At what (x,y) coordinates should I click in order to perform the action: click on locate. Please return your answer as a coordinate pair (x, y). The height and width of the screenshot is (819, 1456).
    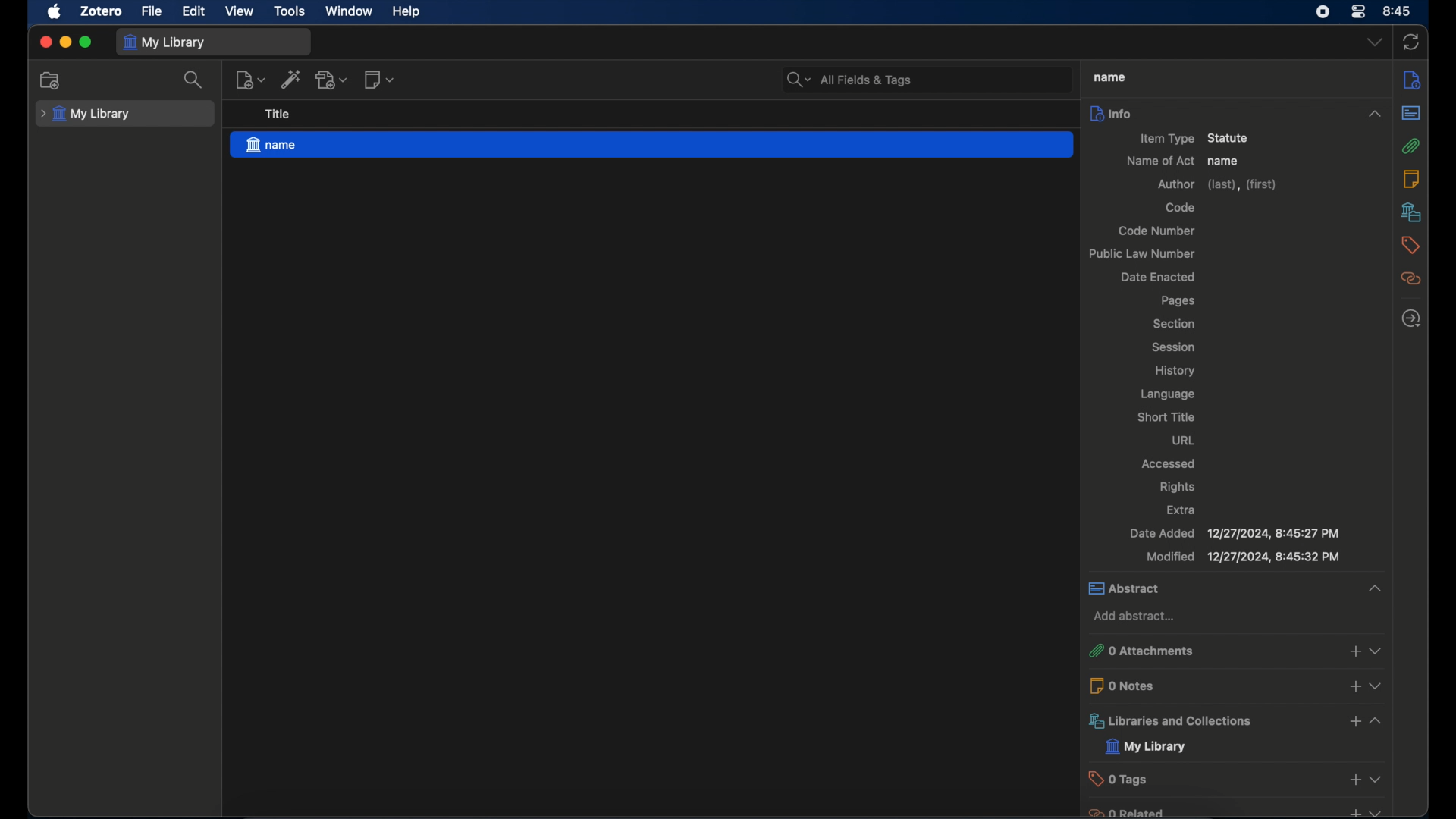
    Looking at the image, I should click on (1411, 319).